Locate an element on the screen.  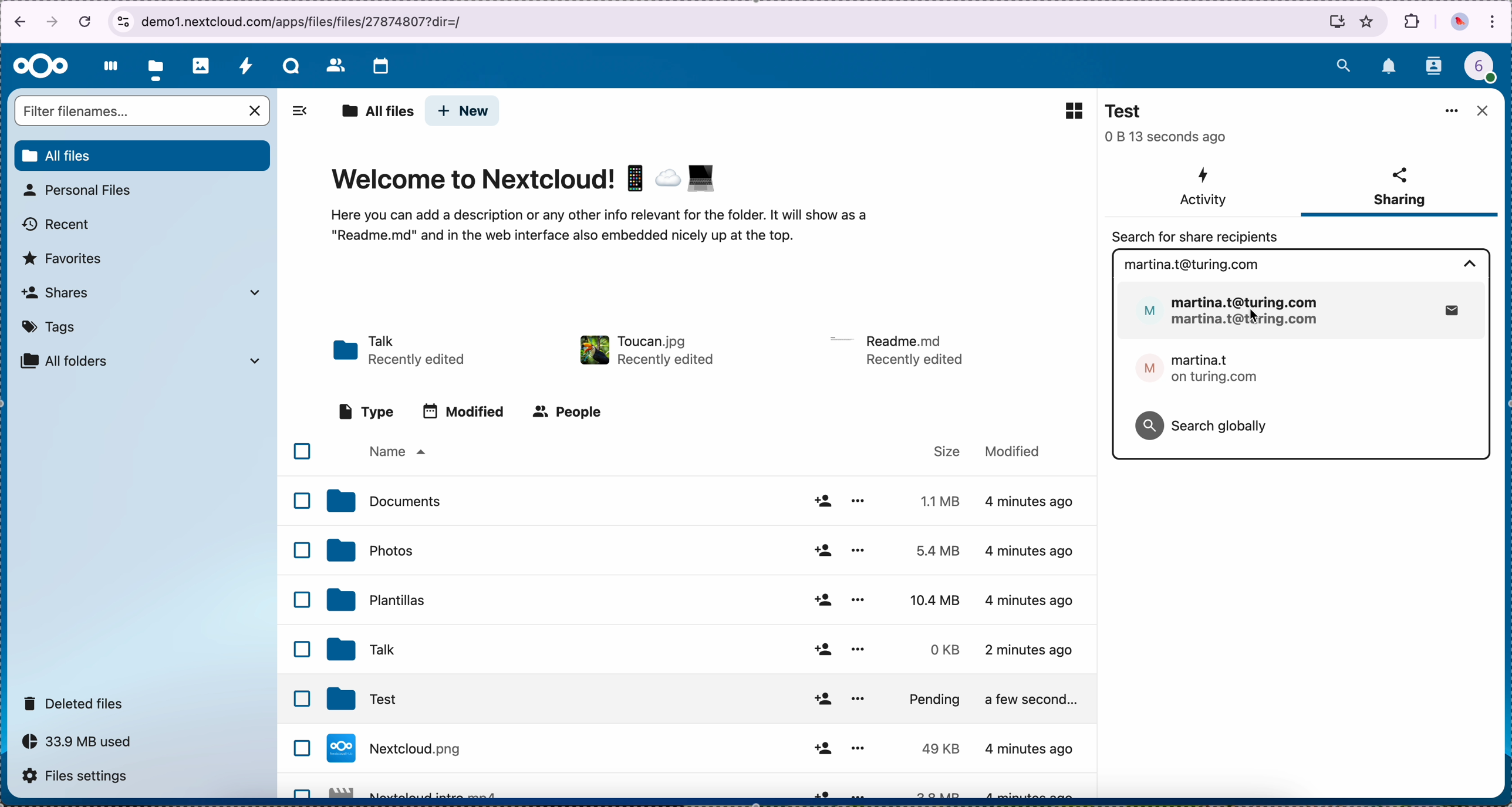
photos folder is located at coordinates (706, 551).